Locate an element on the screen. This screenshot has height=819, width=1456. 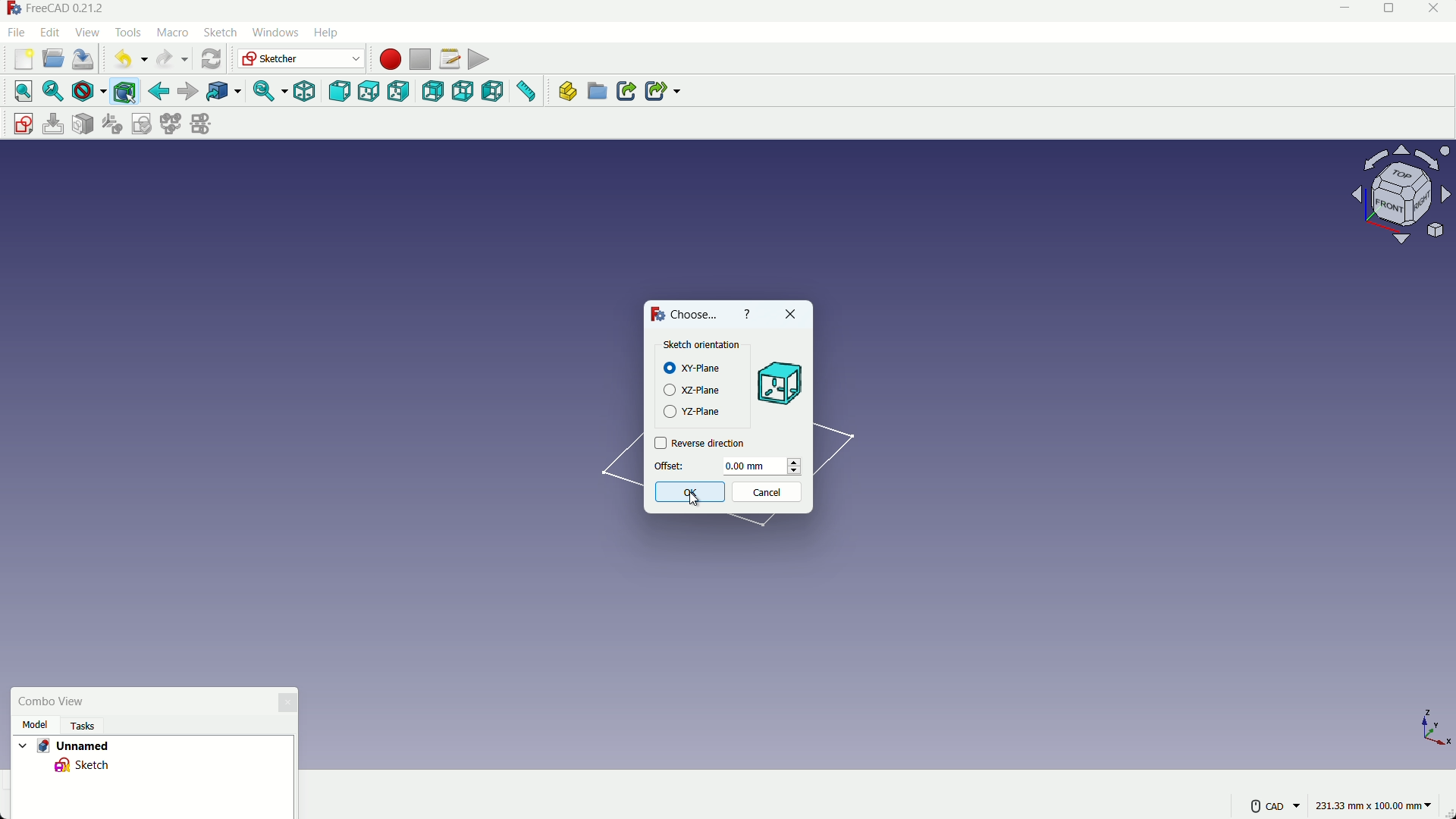
sketch menu is located at coordinates (218, 33).